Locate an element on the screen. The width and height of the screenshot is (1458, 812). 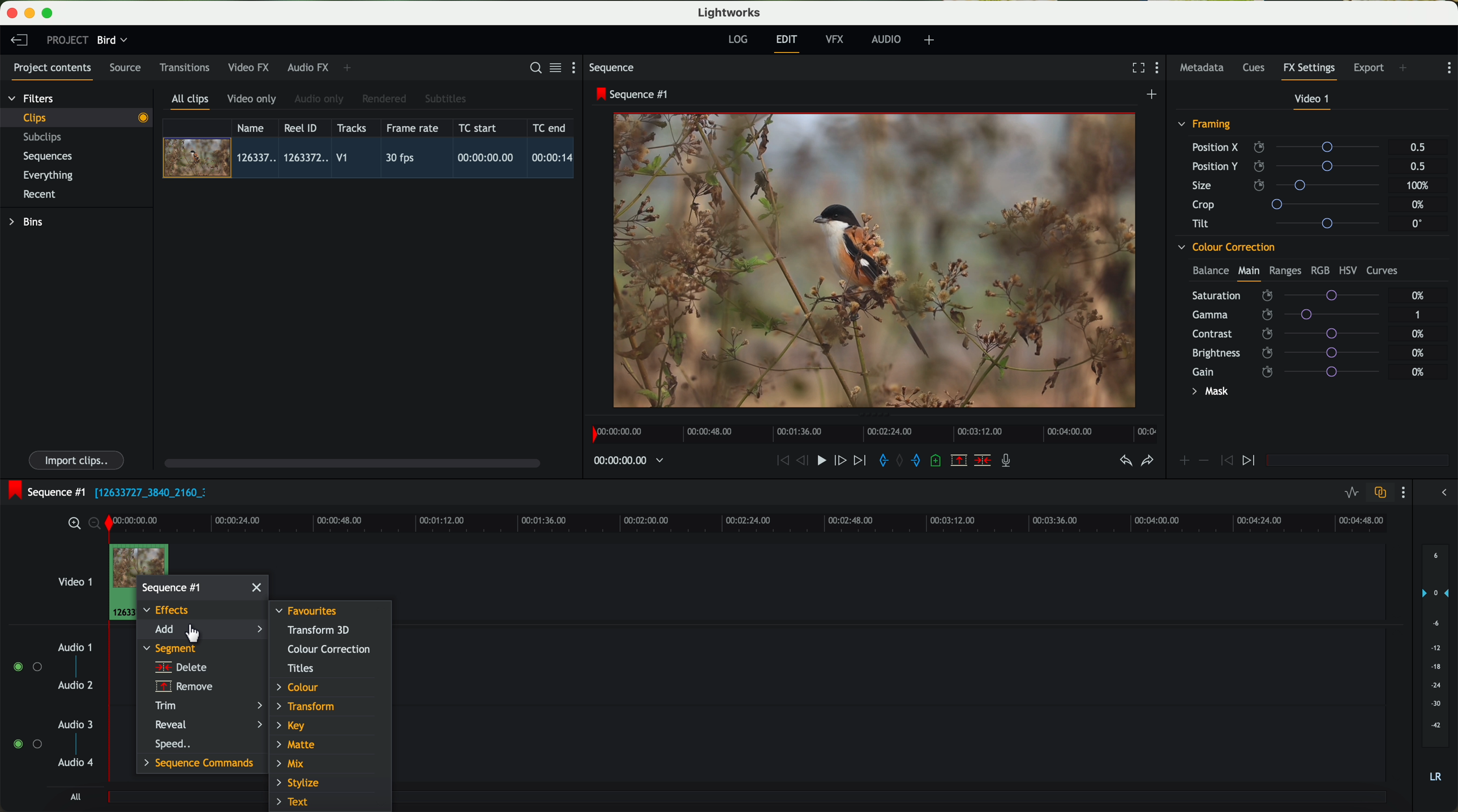
right click is located at coordinates (138, 582).